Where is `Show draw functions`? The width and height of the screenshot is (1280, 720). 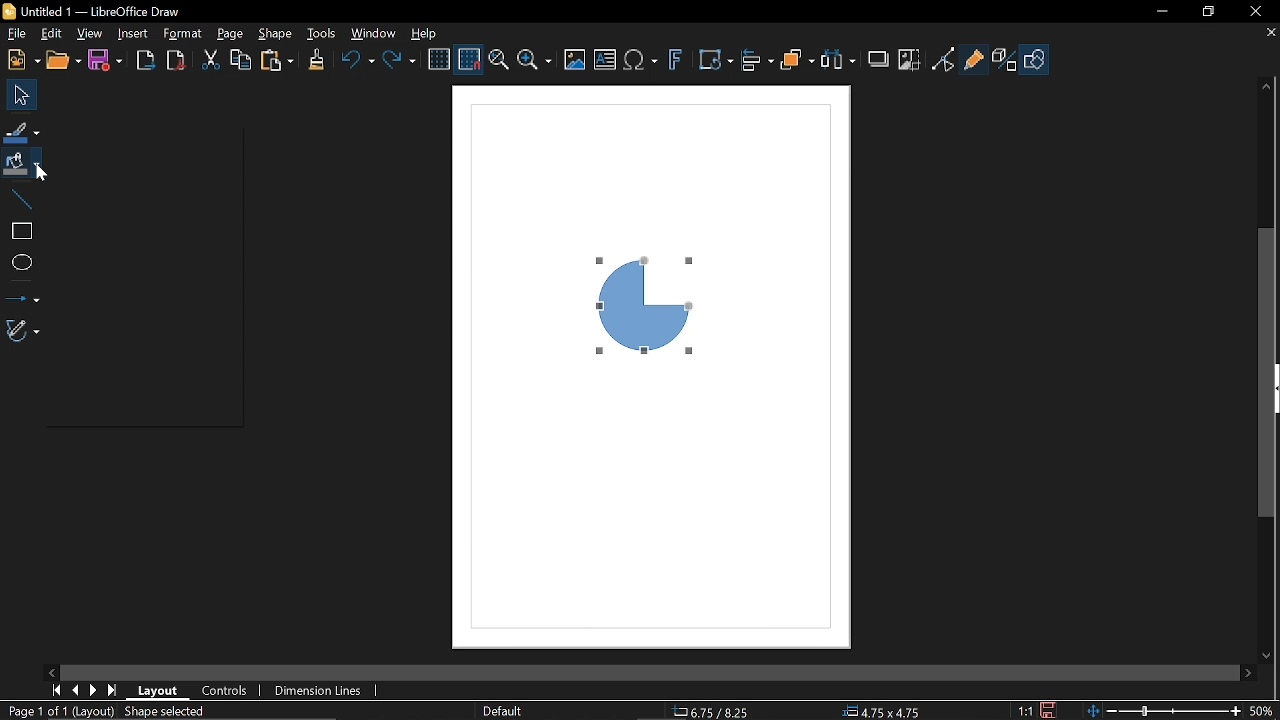
Show draw functions is located at coordinates (1034, 59).